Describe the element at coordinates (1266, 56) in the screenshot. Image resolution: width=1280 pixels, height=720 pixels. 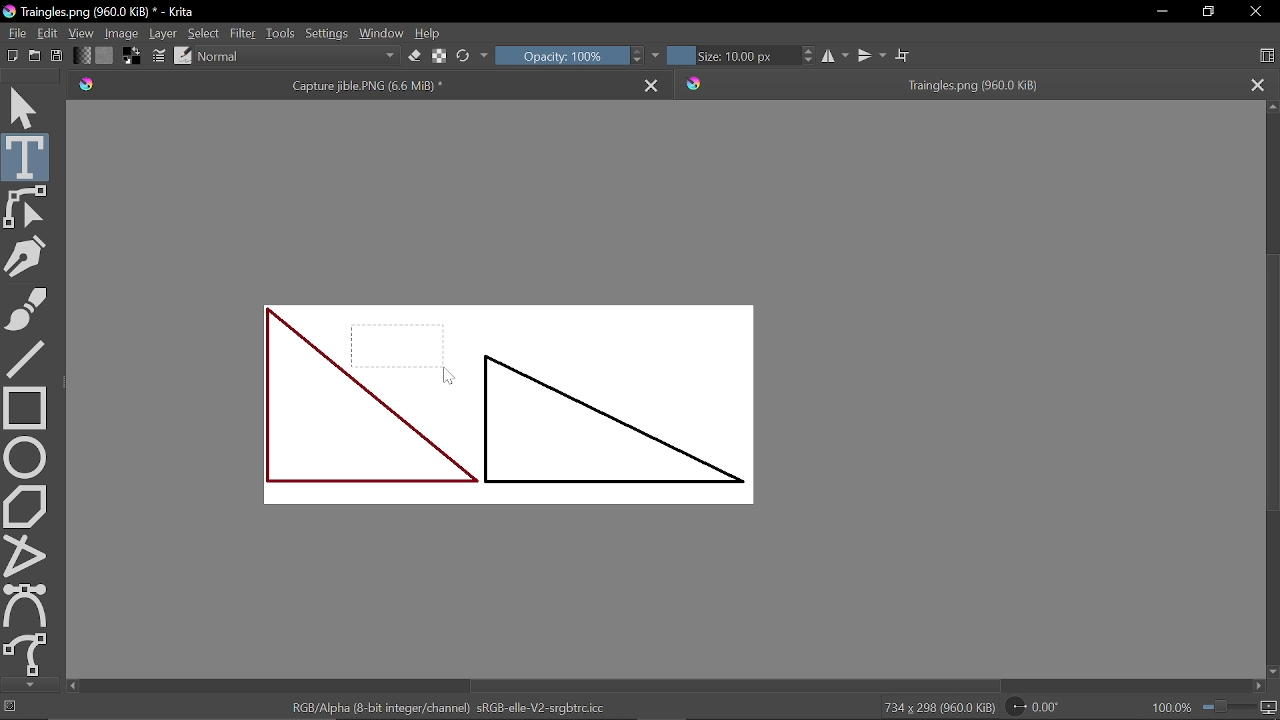
I see `Choose workspace` at that location.